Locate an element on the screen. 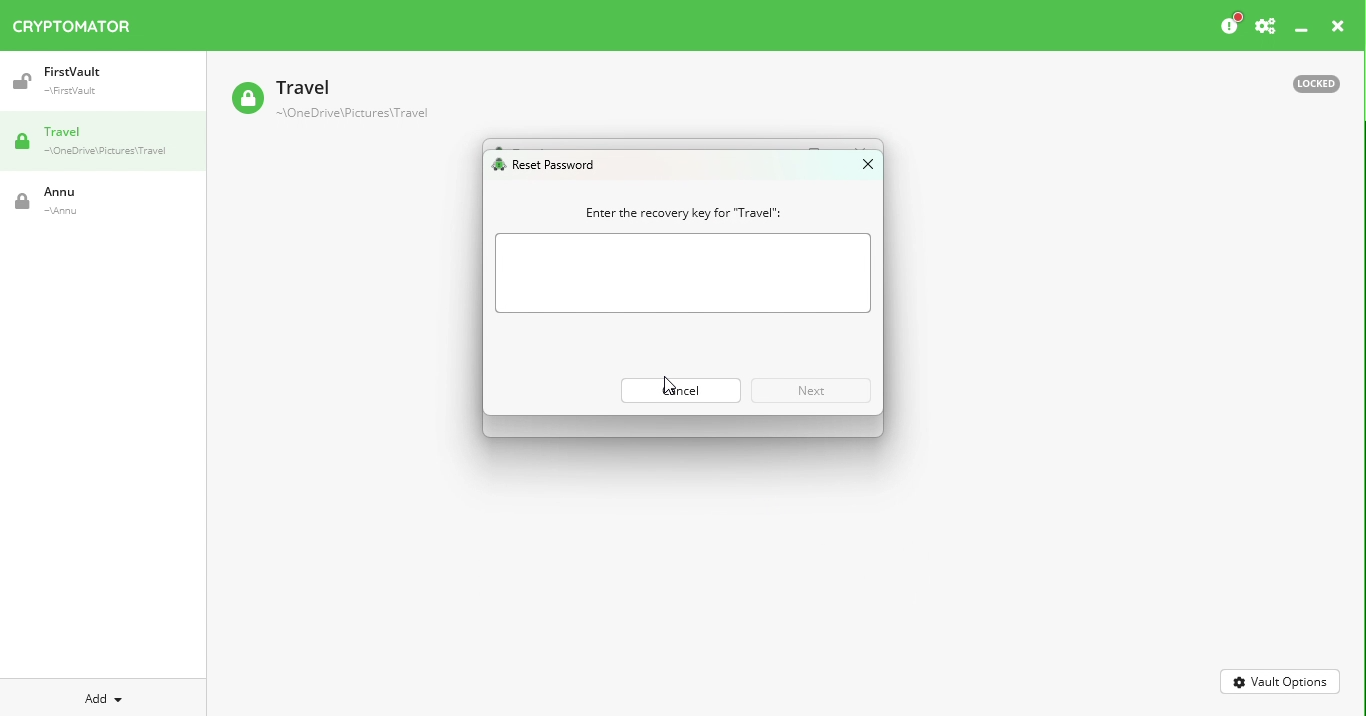 The image size is (1366, 716). Cursor is located at coordinates (667, 389).